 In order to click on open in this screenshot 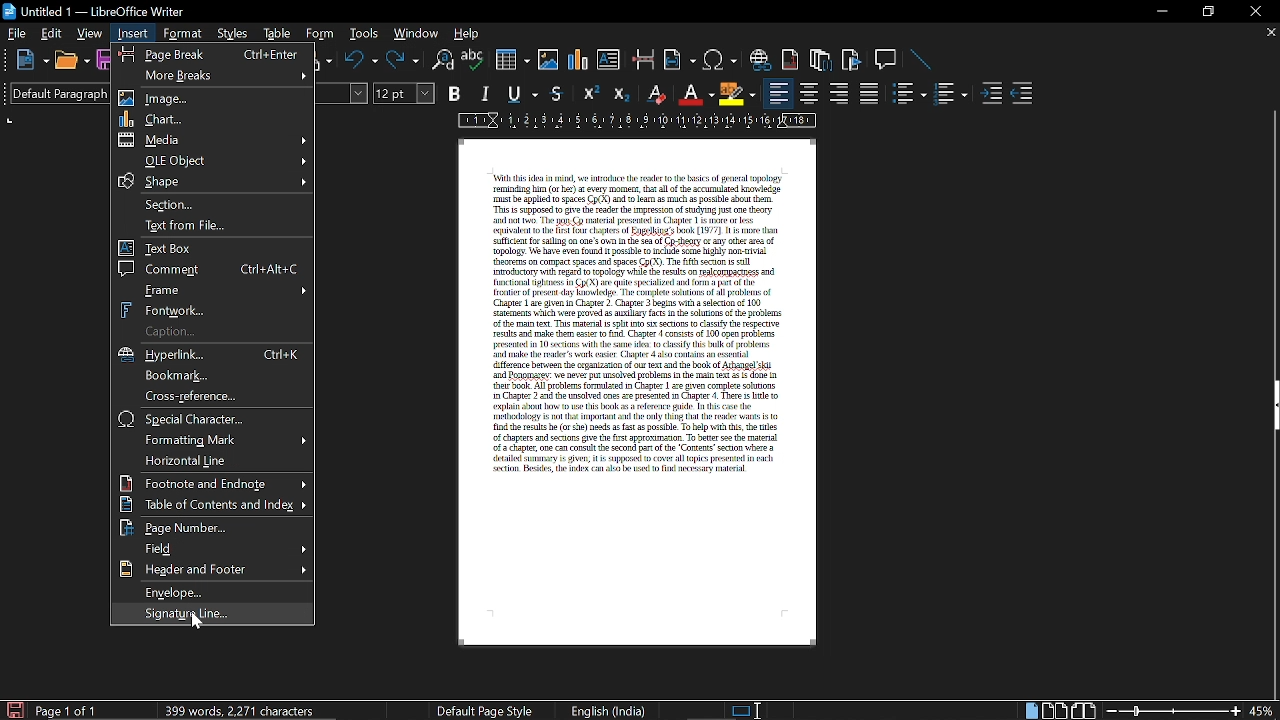, I will do `click(72, 60)`.